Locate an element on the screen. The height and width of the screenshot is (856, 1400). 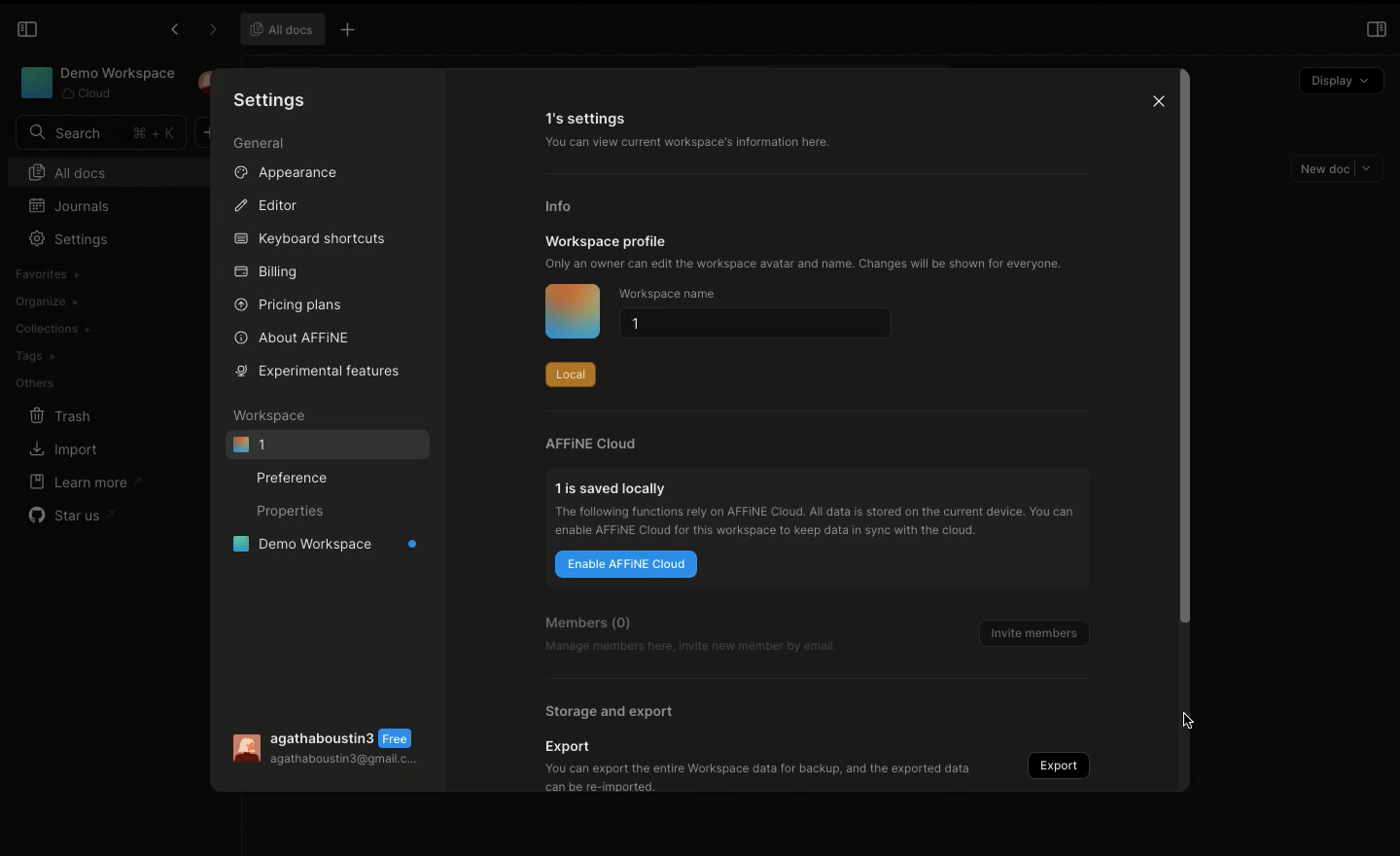
Export is located at coordinates (566, 748).